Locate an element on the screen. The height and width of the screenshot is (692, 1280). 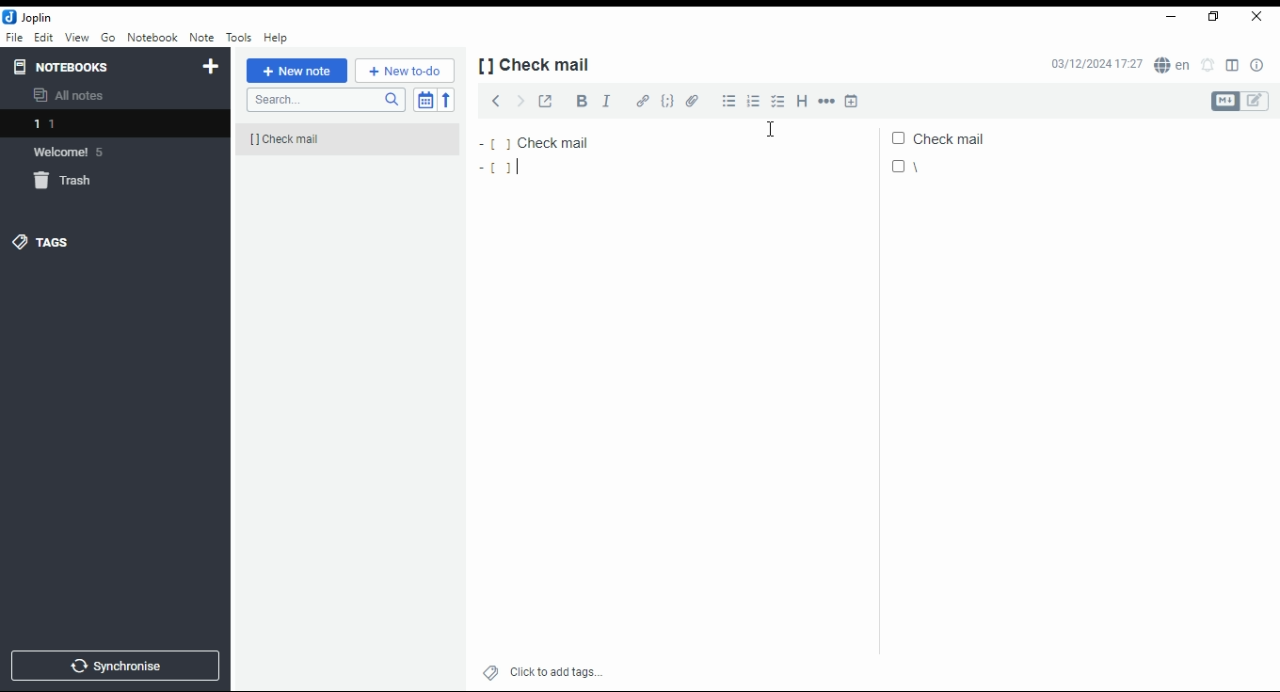
attach file is located at coordinates (691, 102).